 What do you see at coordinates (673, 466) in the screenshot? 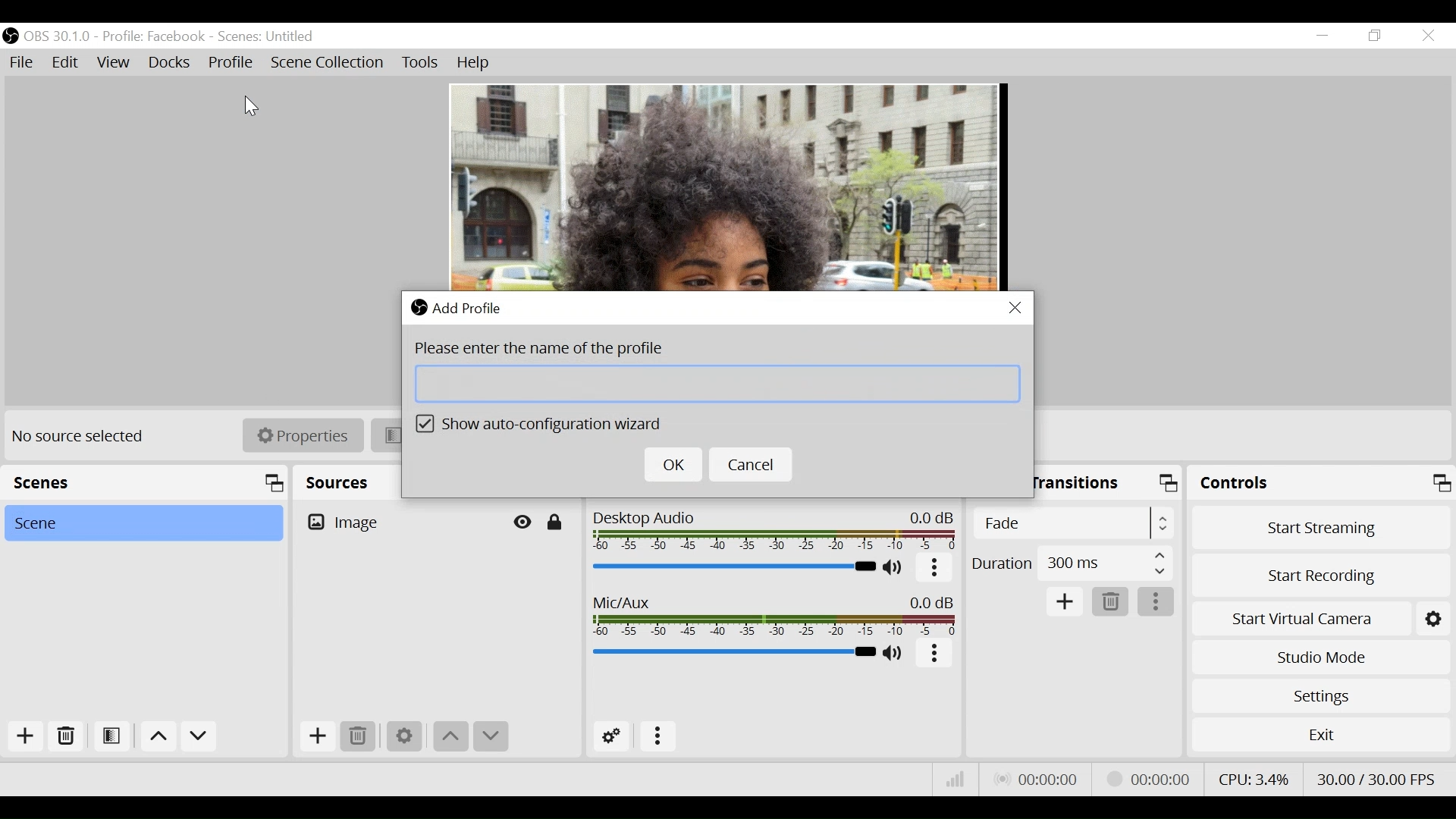
I see `OK` at bounding box center [673, 466].